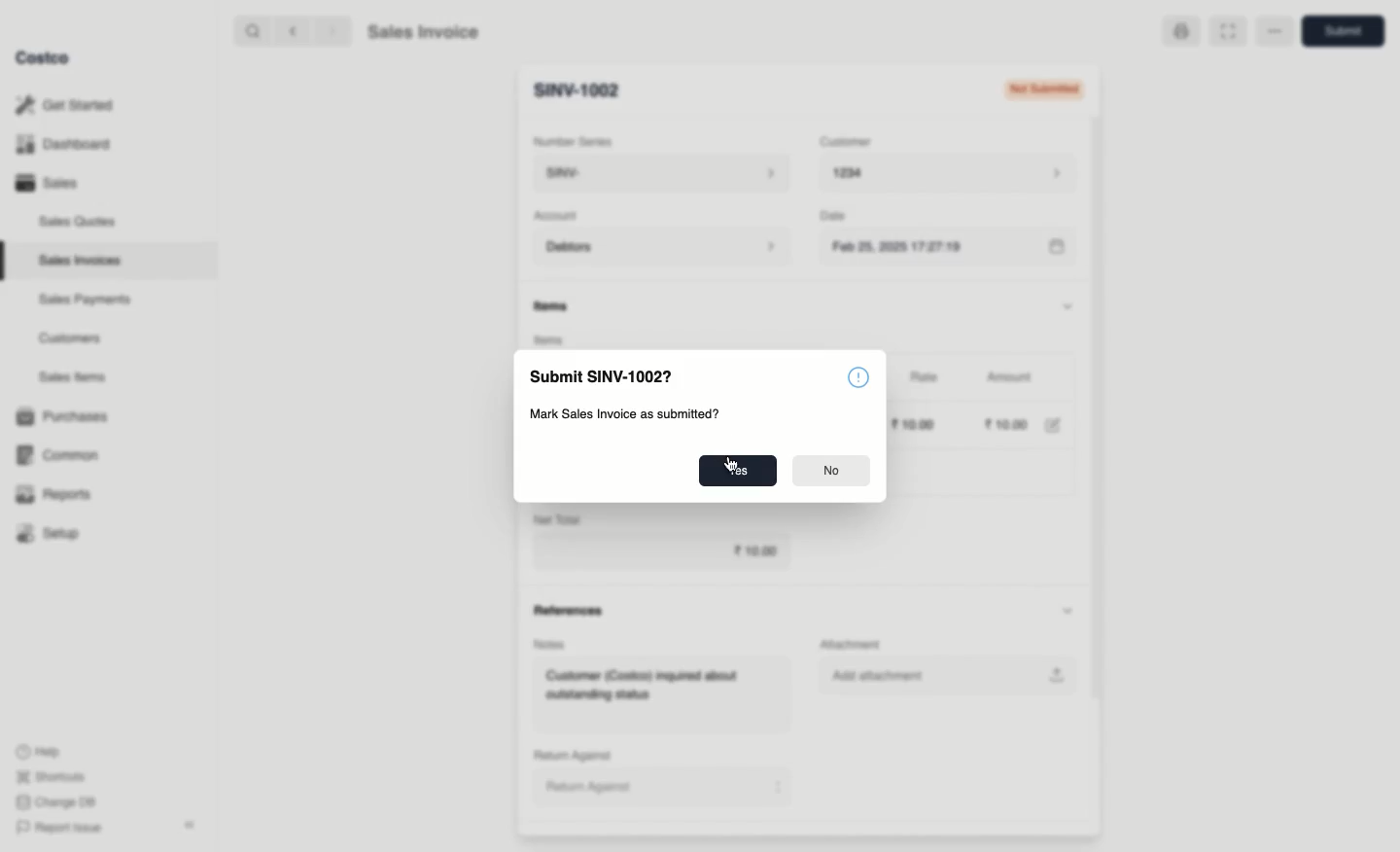 The height and width of the screenshot is (852, 1400). I want to click on Back, so click(288, 33).